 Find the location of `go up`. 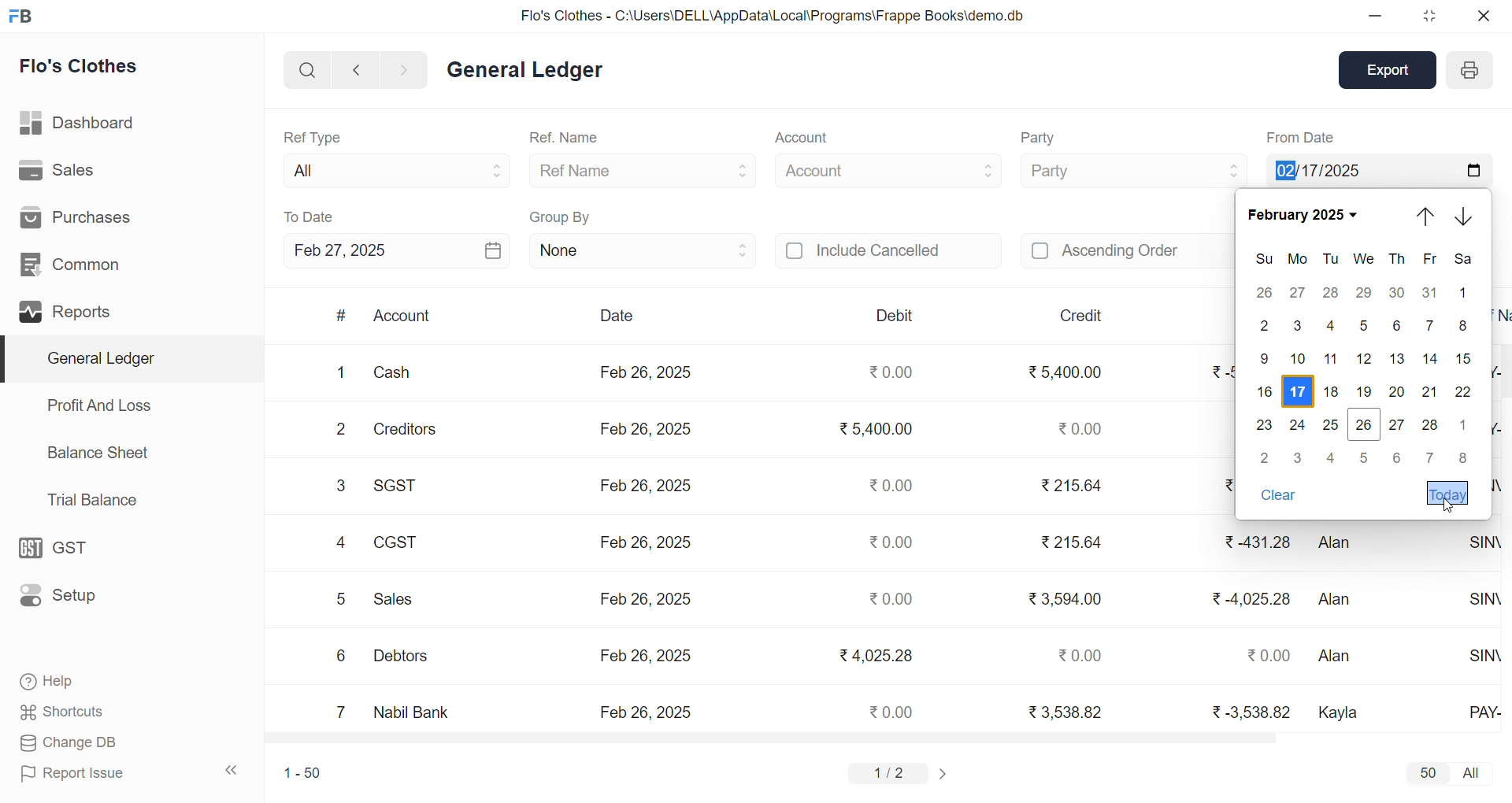

go up is located at coordinates (1428, 216).